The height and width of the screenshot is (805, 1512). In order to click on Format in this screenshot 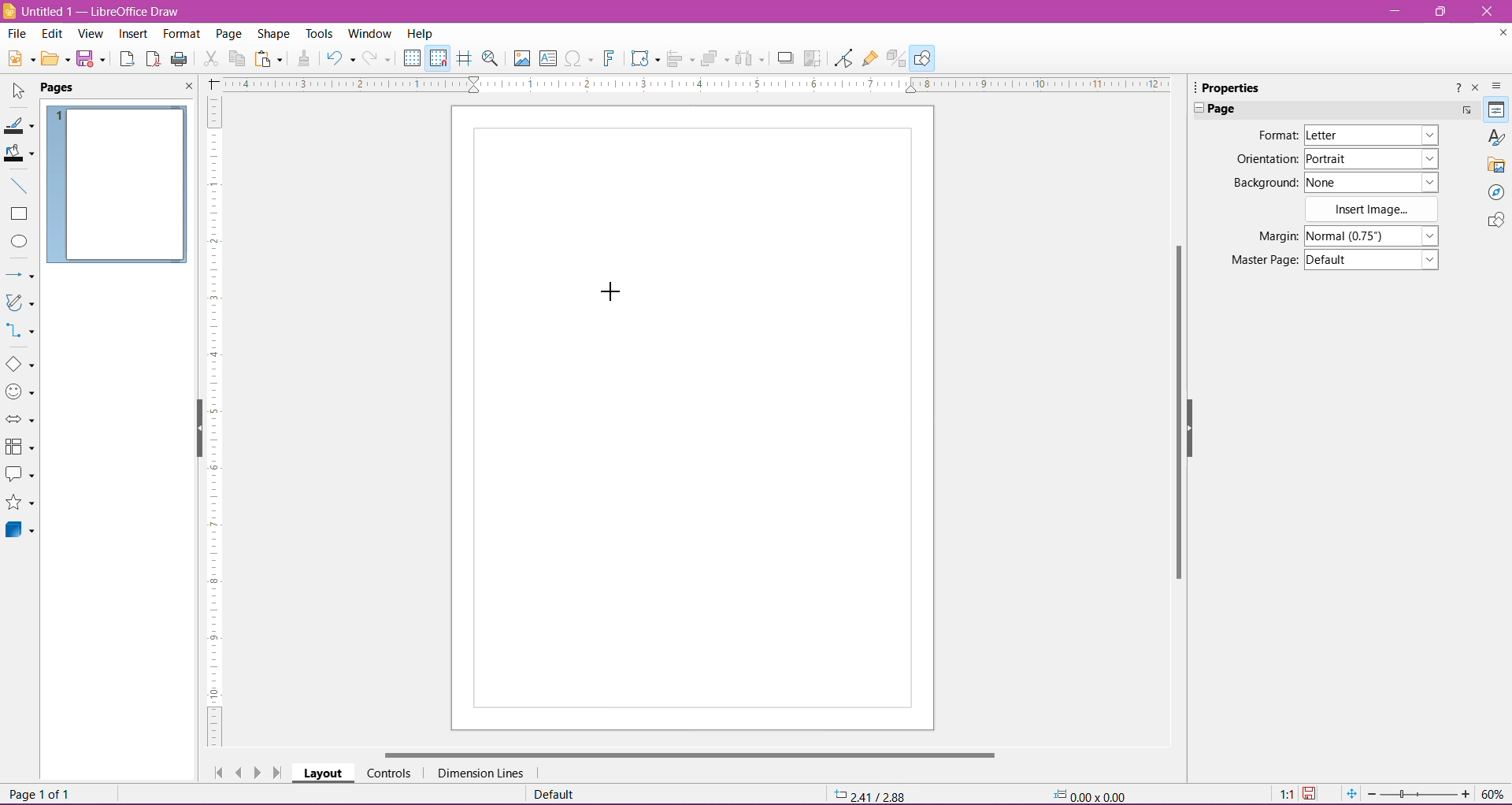, I will do `click(1276, 135)`.